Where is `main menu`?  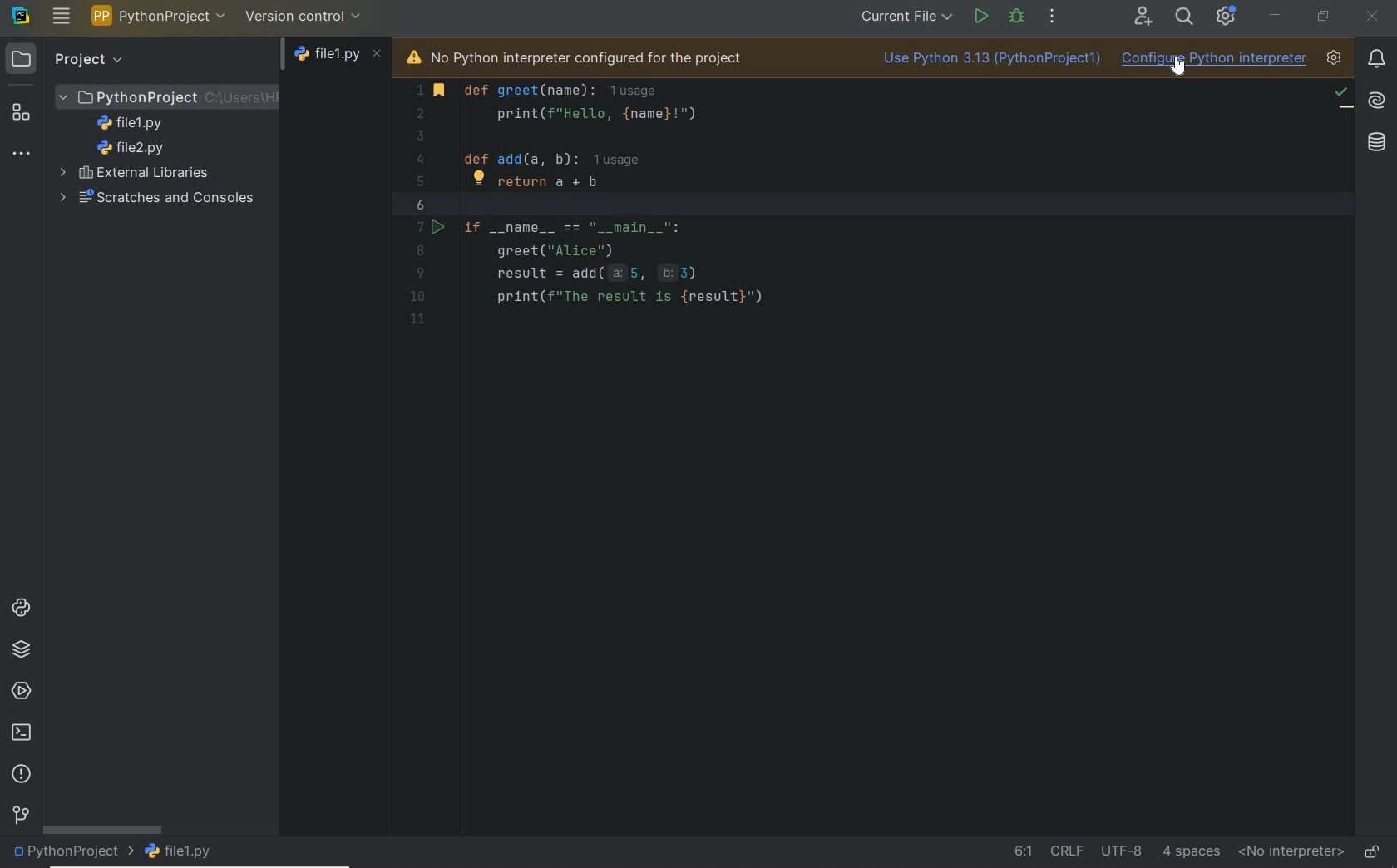
main menu is located at coordinates (62, 16).